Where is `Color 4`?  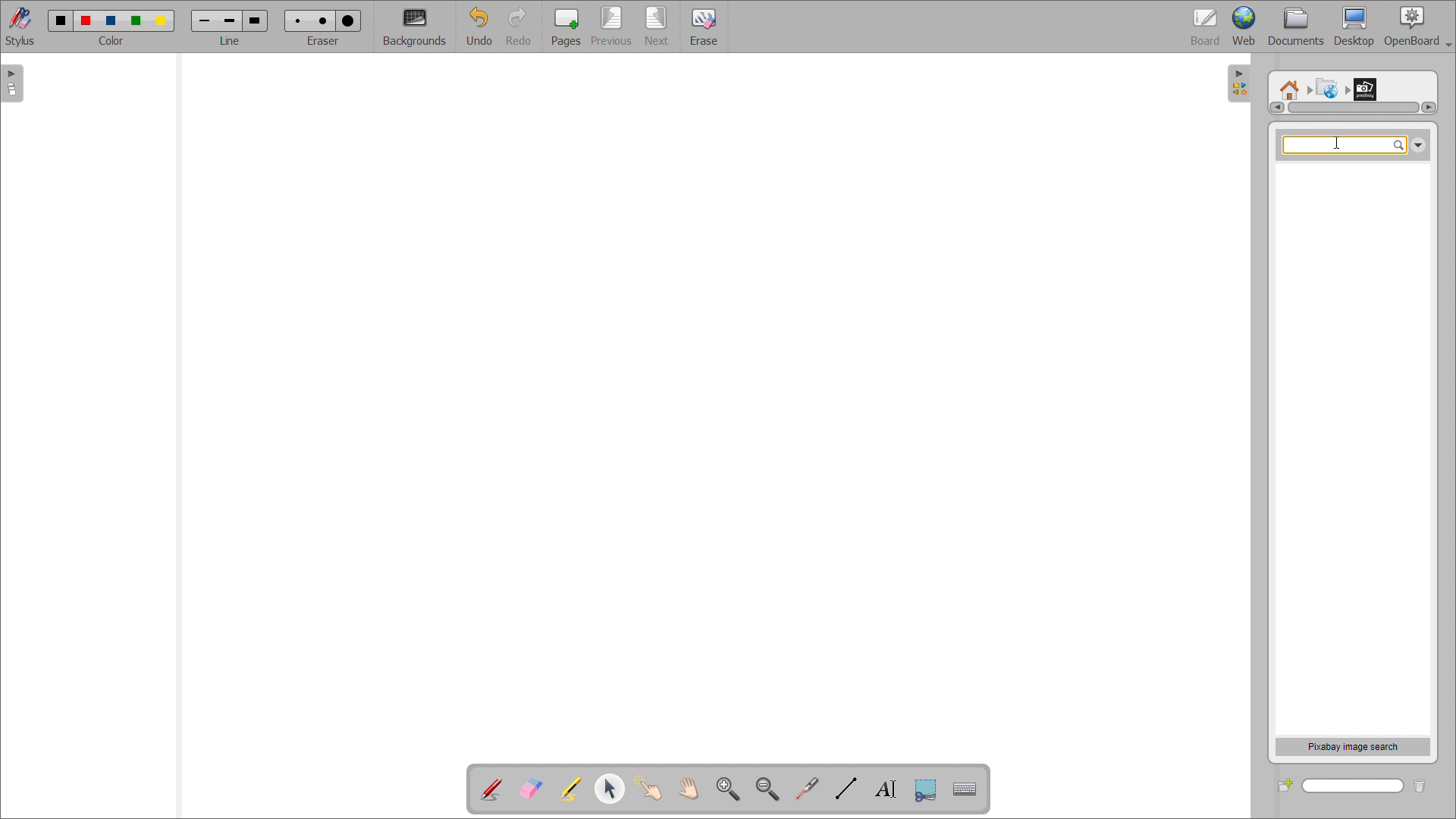 Color 4 is located at coordinates (138, 20).